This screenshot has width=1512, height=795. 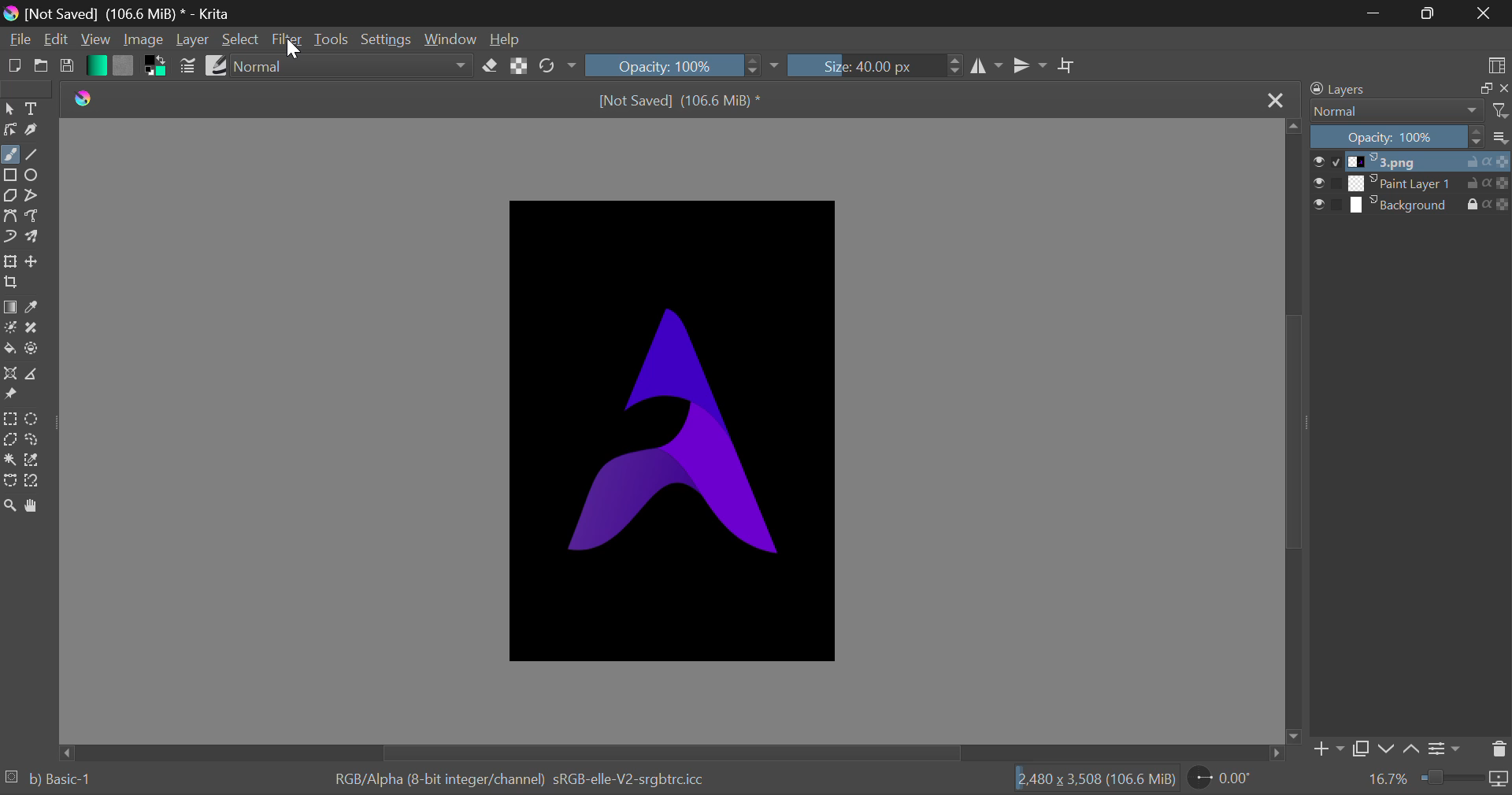 I want to click on Copy Layer, so click(x=1365, y=749).